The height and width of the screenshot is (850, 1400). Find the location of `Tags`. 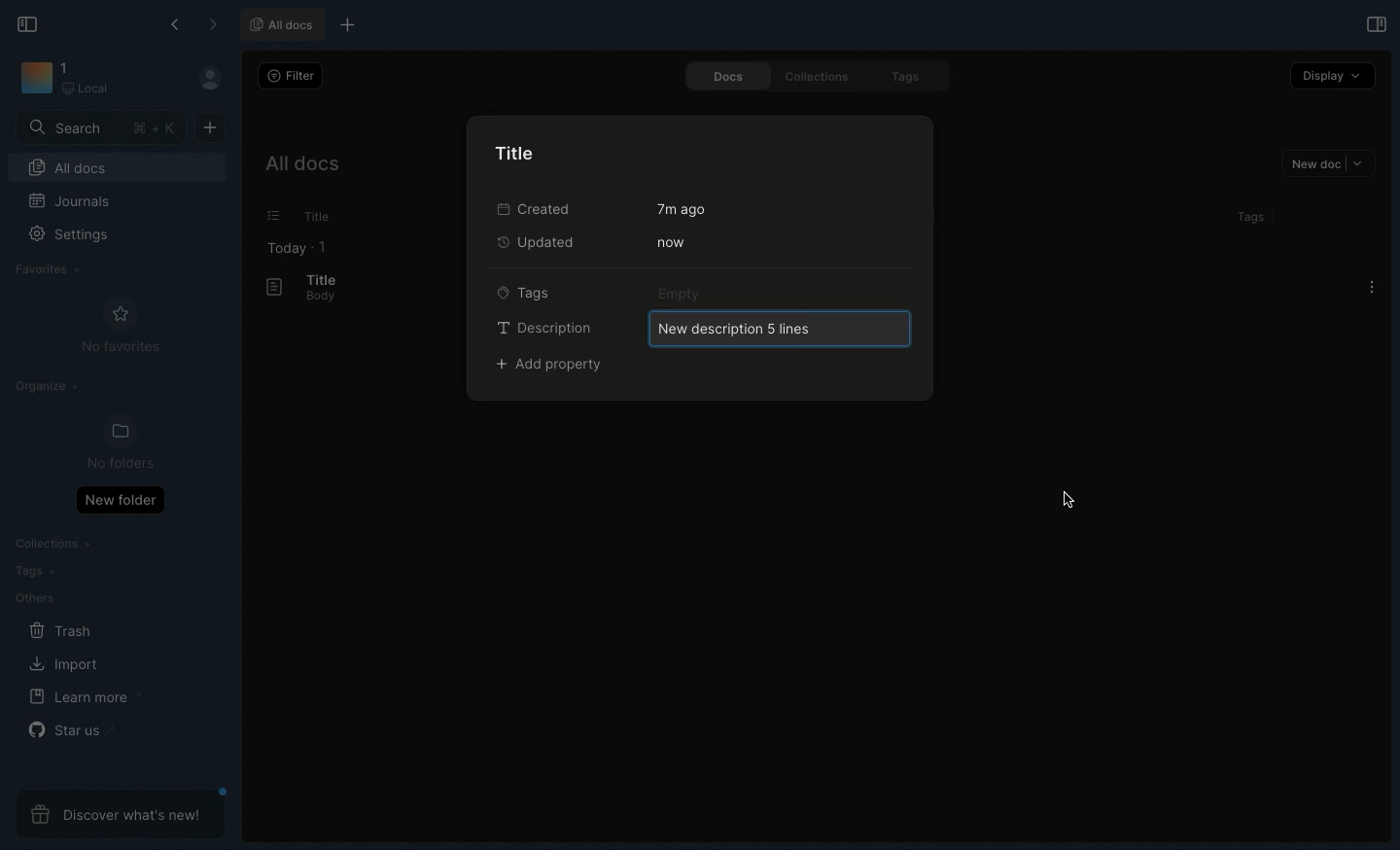

Tags is located at coordinates (1246, 217).